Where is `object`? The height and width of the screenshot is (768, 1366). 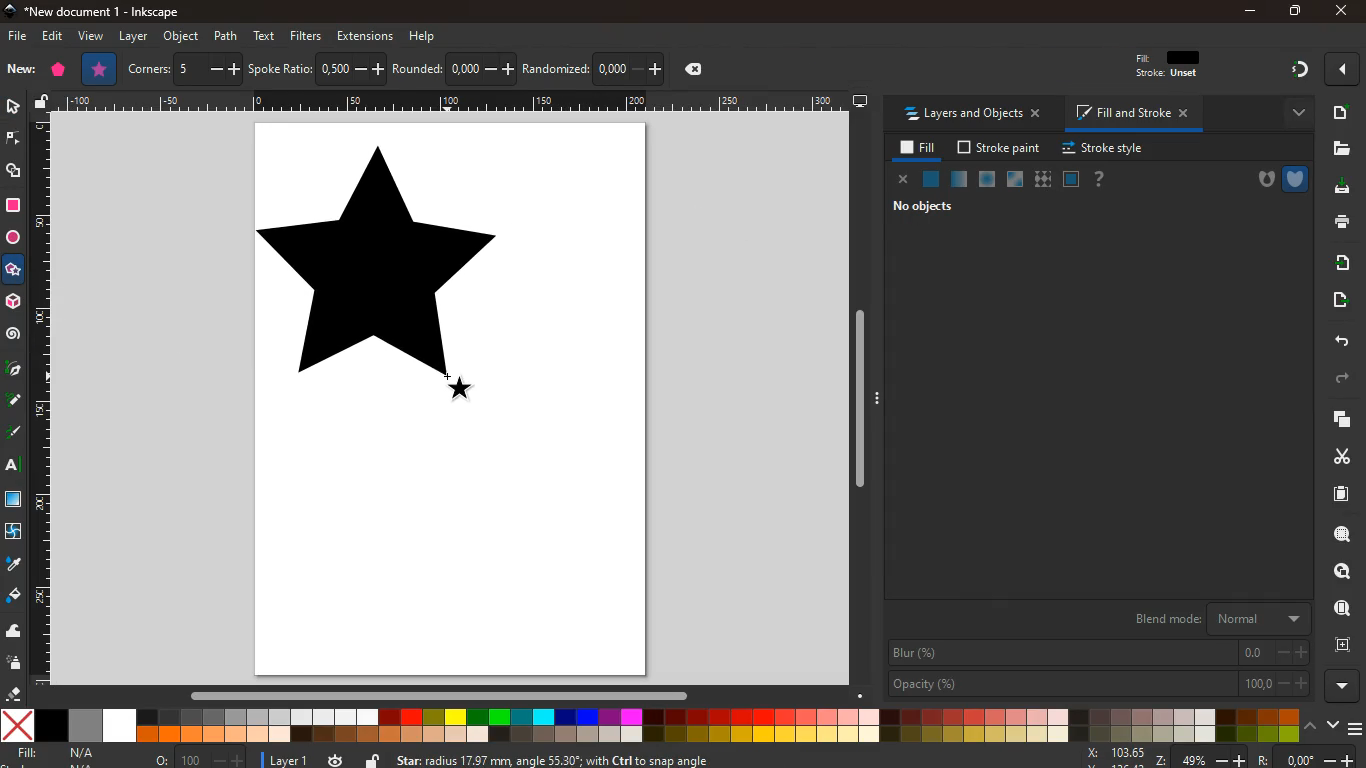
object is located at coordinates (180, 36).